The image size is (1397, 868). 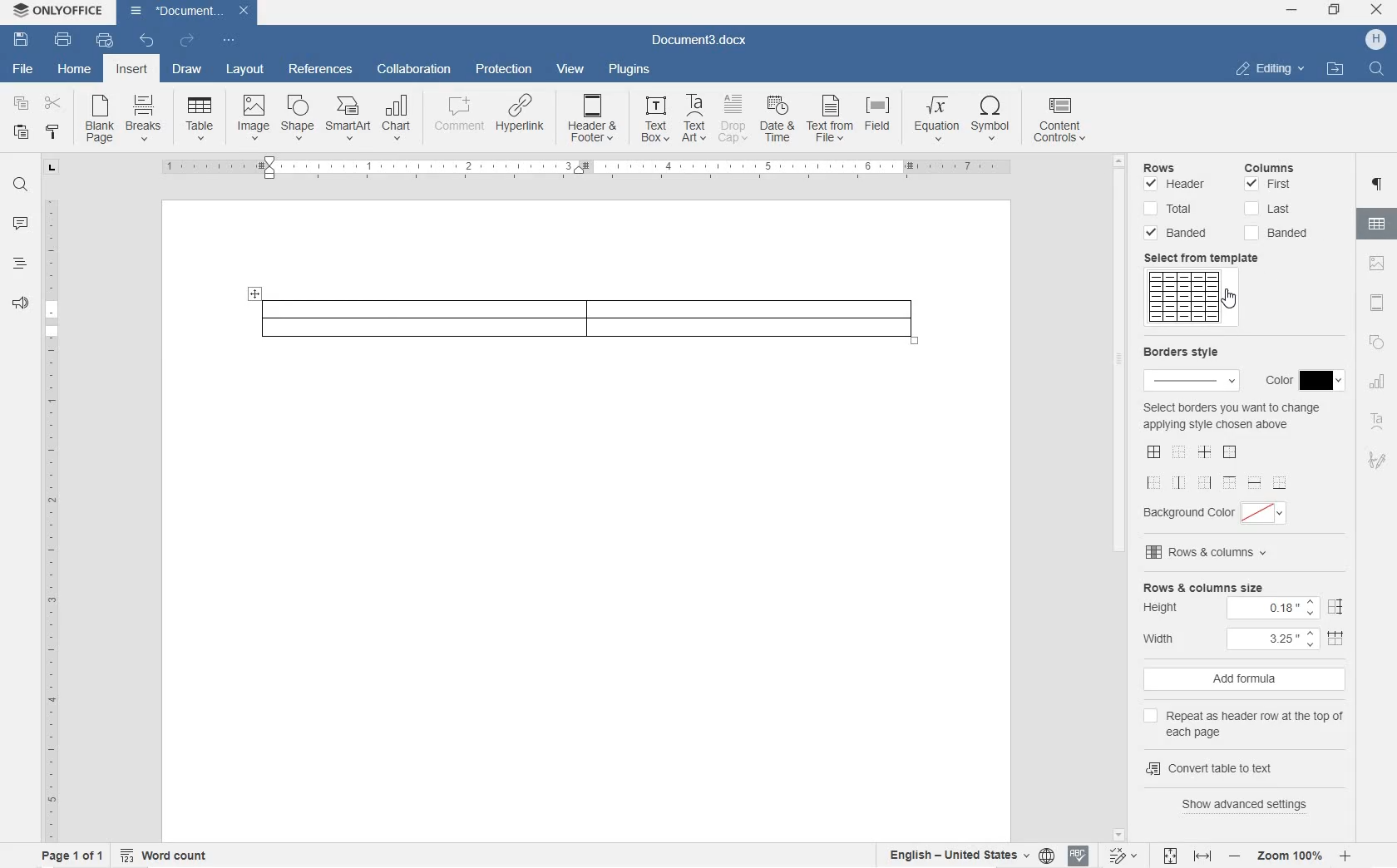 I want to click on cursor, so click(x=1231, y=298).